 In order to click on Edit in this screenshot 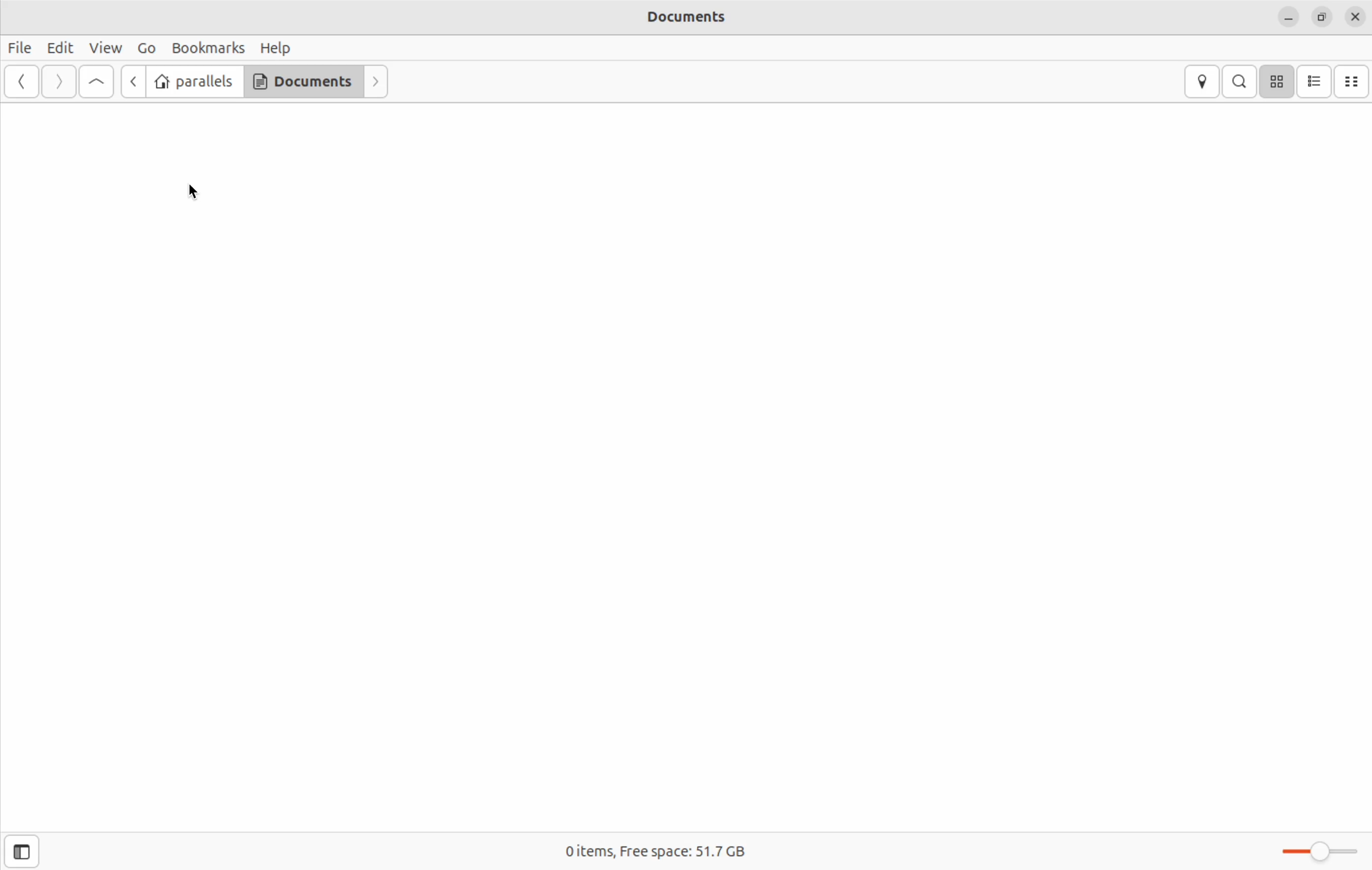, I will do `click(62, 47)`.